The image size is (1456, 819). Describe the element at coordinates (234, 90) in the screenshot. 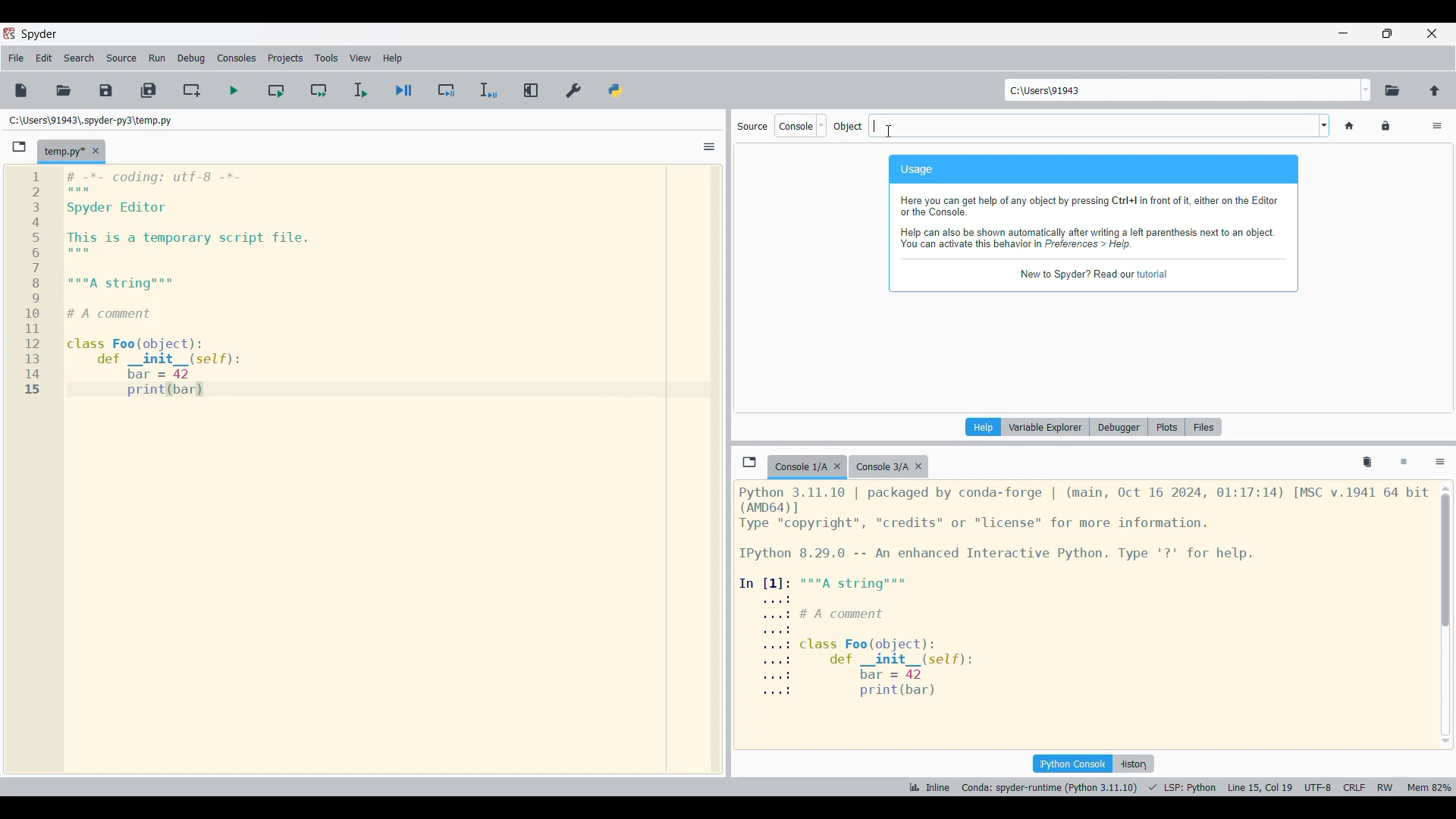

I see `Run file` at that location.